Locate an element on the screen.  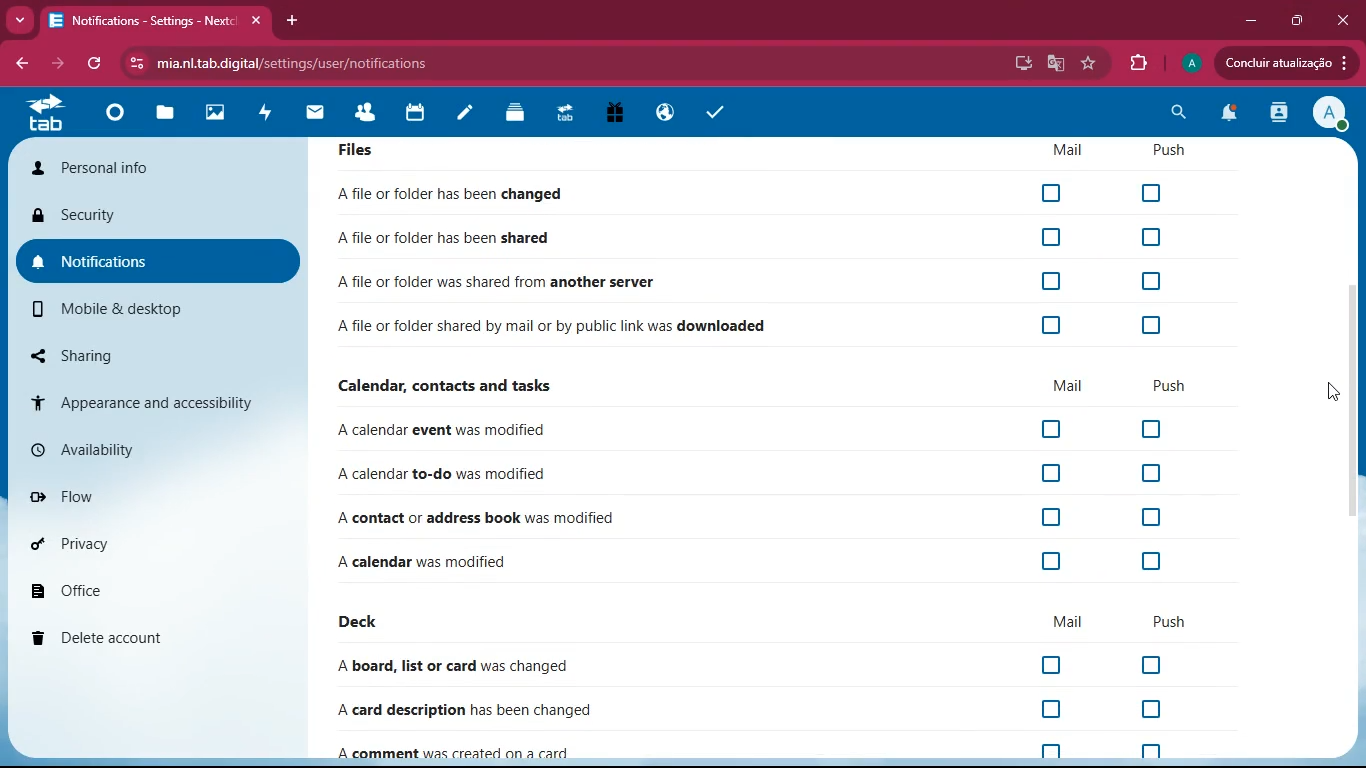
off is located at coordinates (1052, 563).